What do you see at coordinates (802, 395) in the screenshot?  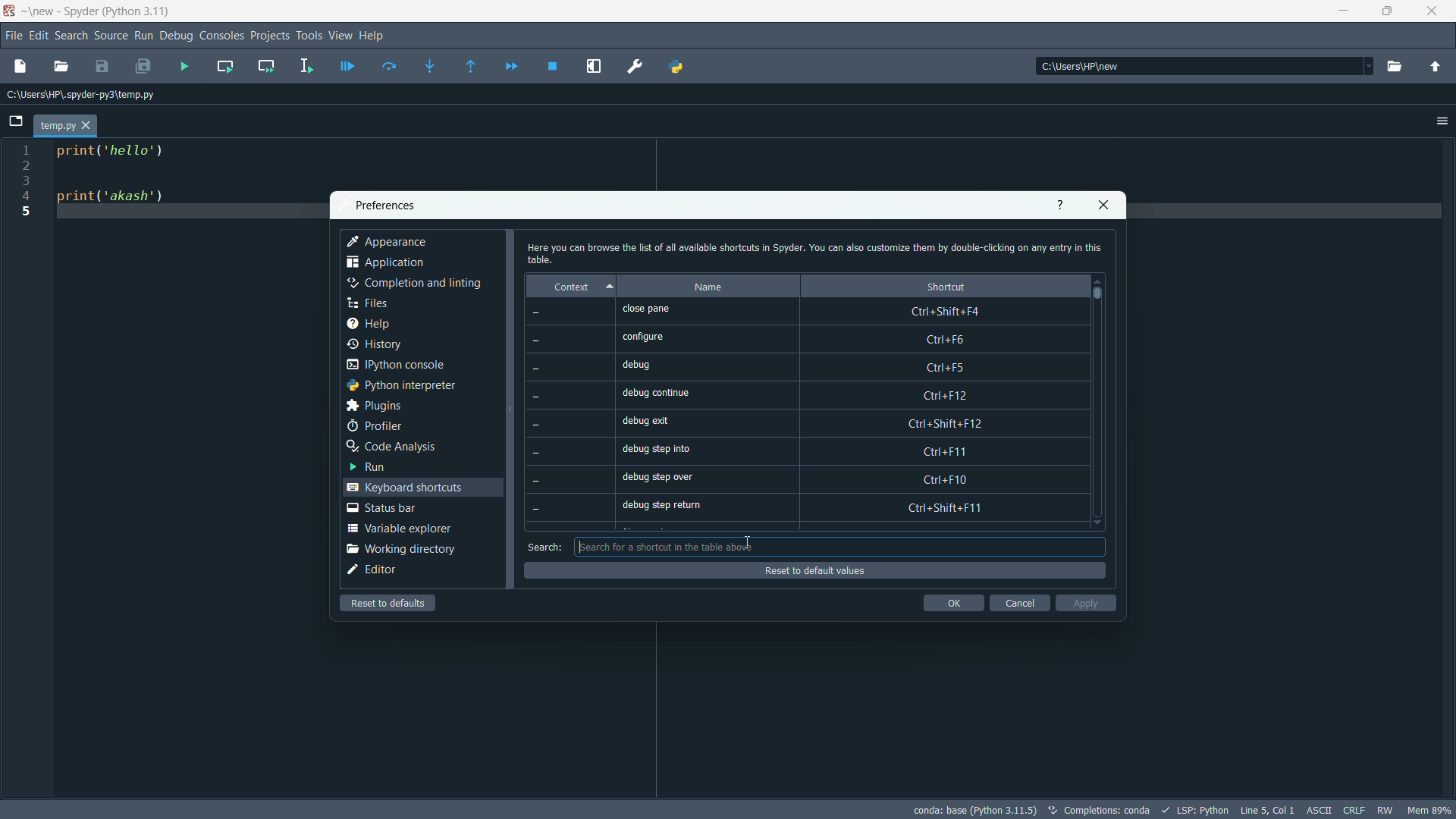 I see `-, debug continue, ctrl+f12` at bounding box center [802, 395].